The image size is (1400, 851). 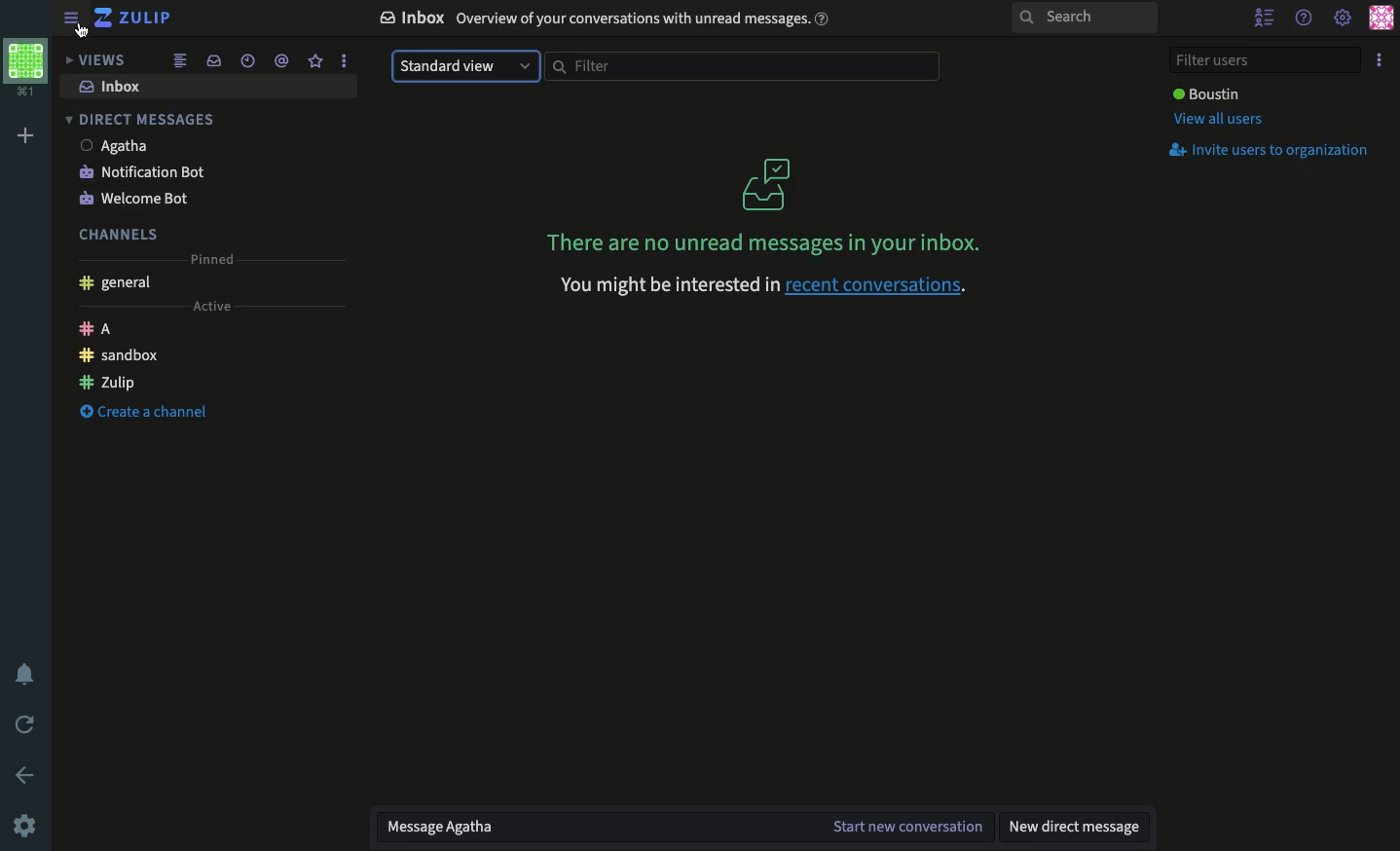 I want to click on Options, so click(x=1381, y=59).